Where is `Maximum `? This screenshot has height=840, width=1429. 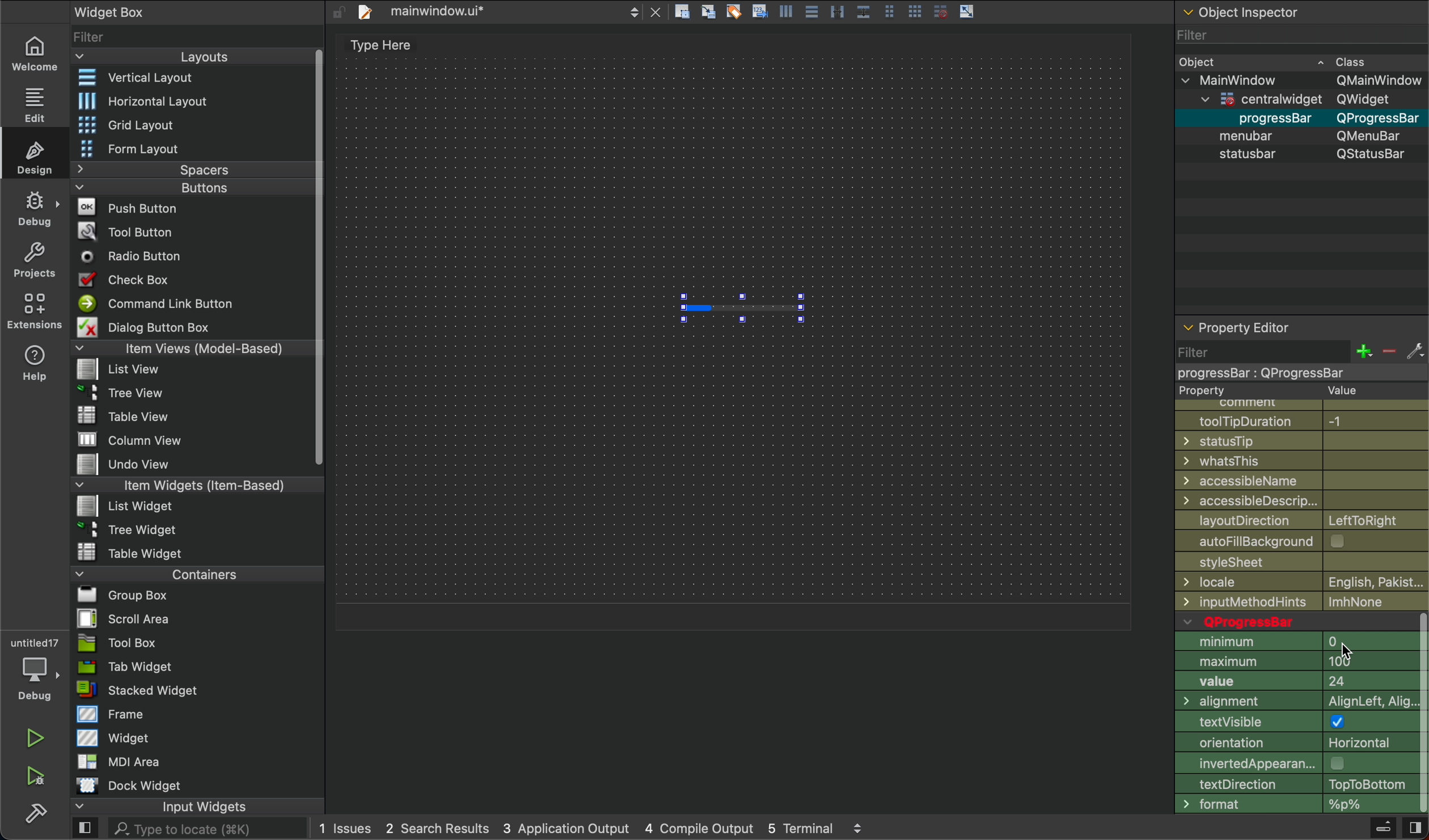
Maximum  is located at coordinates (1293, 661).